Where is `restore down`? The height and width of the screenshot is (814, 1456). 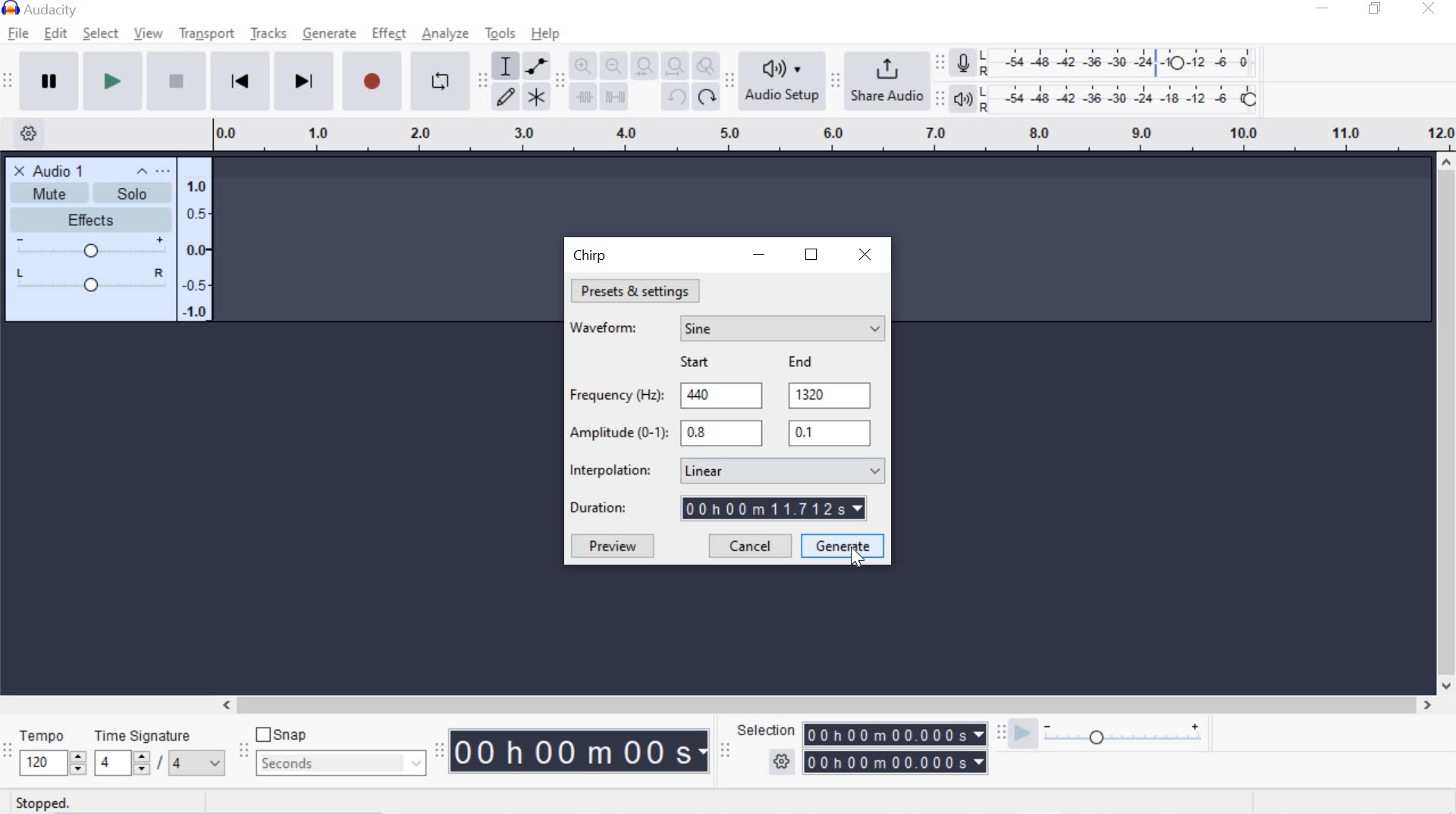
restore down is located at coordinates (1375, 9).